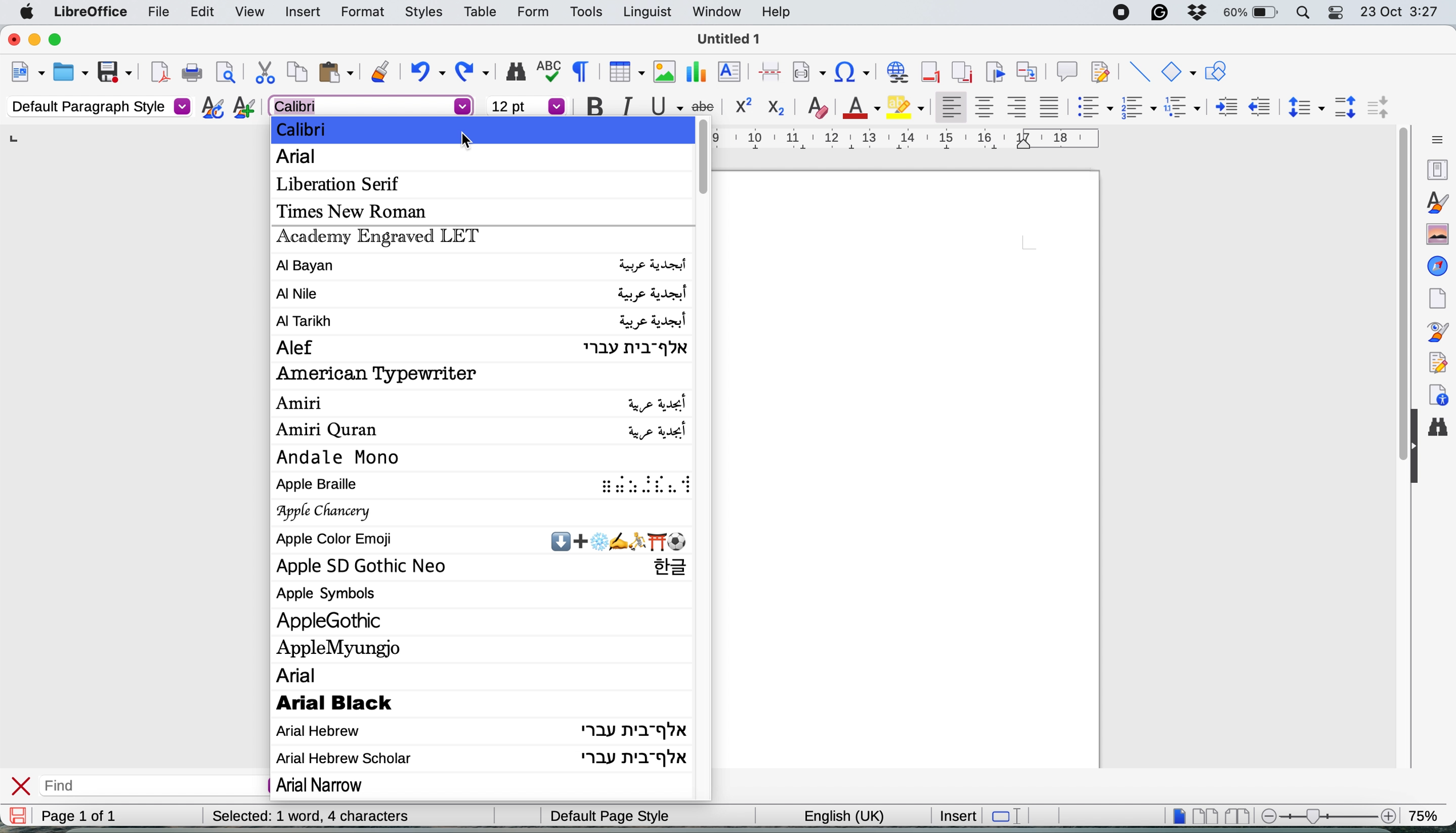 The image size is (1456, 833). Describe the element at coordinates (929, 72) in the screenshot. I see `insert footnote` at that location.